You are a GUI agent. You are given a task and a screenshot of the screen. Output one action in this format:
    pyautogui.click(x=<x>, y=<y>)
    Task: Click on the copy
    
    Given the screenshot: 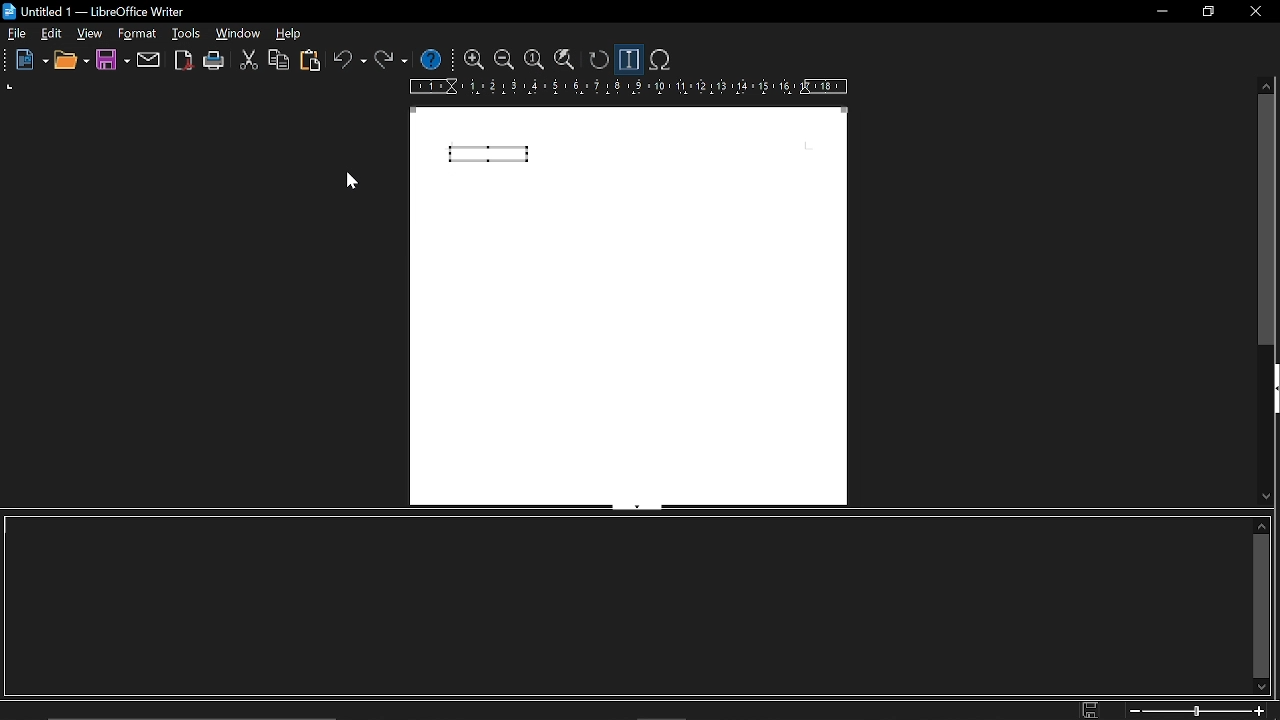 What is the action you would take?
    pyautogui.click(x=277, y=60)
    